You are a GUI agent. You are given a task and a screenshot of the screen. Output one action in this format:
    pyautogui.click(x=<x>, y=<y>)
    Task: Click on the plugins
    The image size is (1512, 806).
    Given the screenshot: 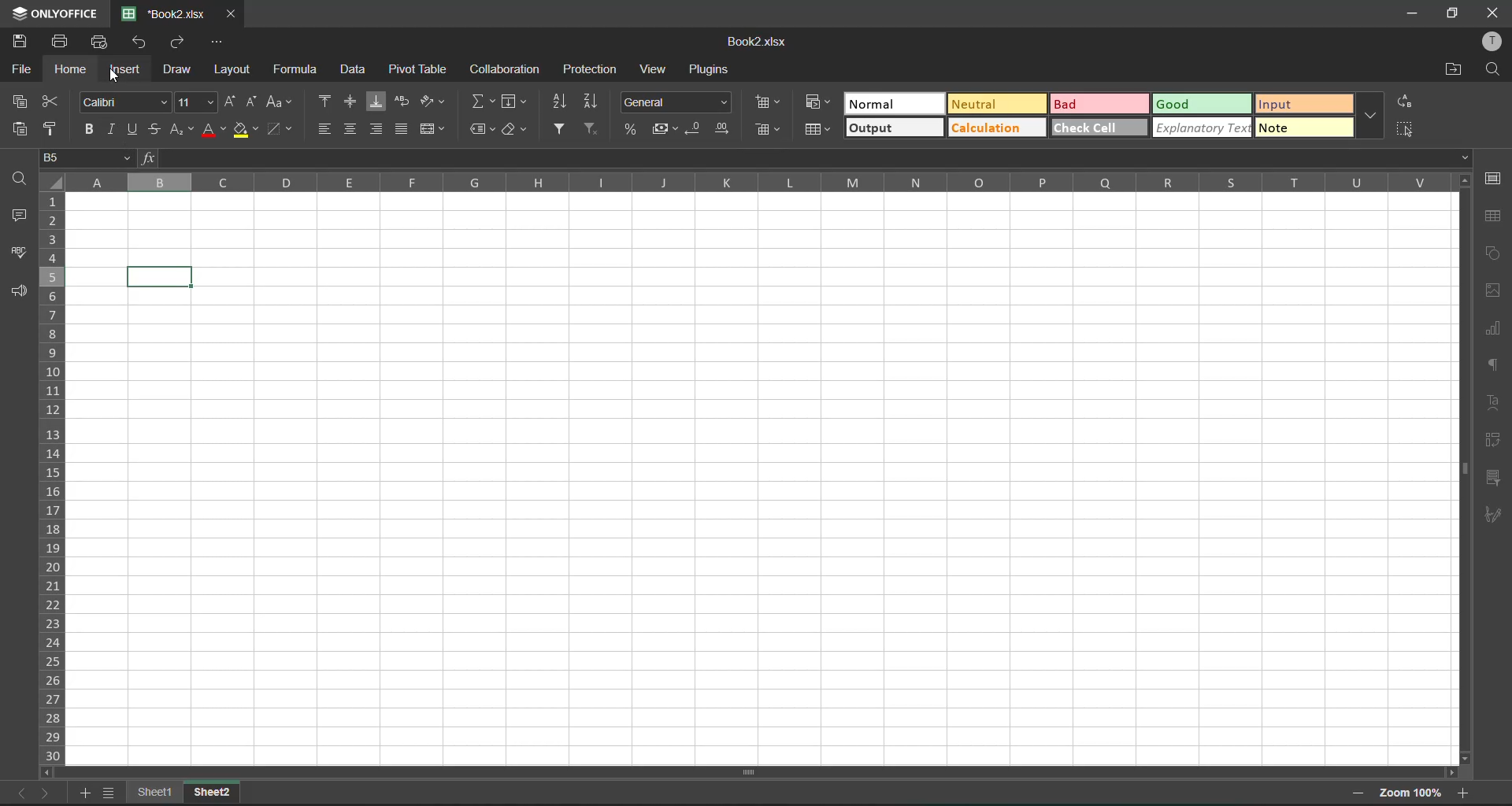 What is the action you would take?
    pyautogui.click(x=710, y=70)
    